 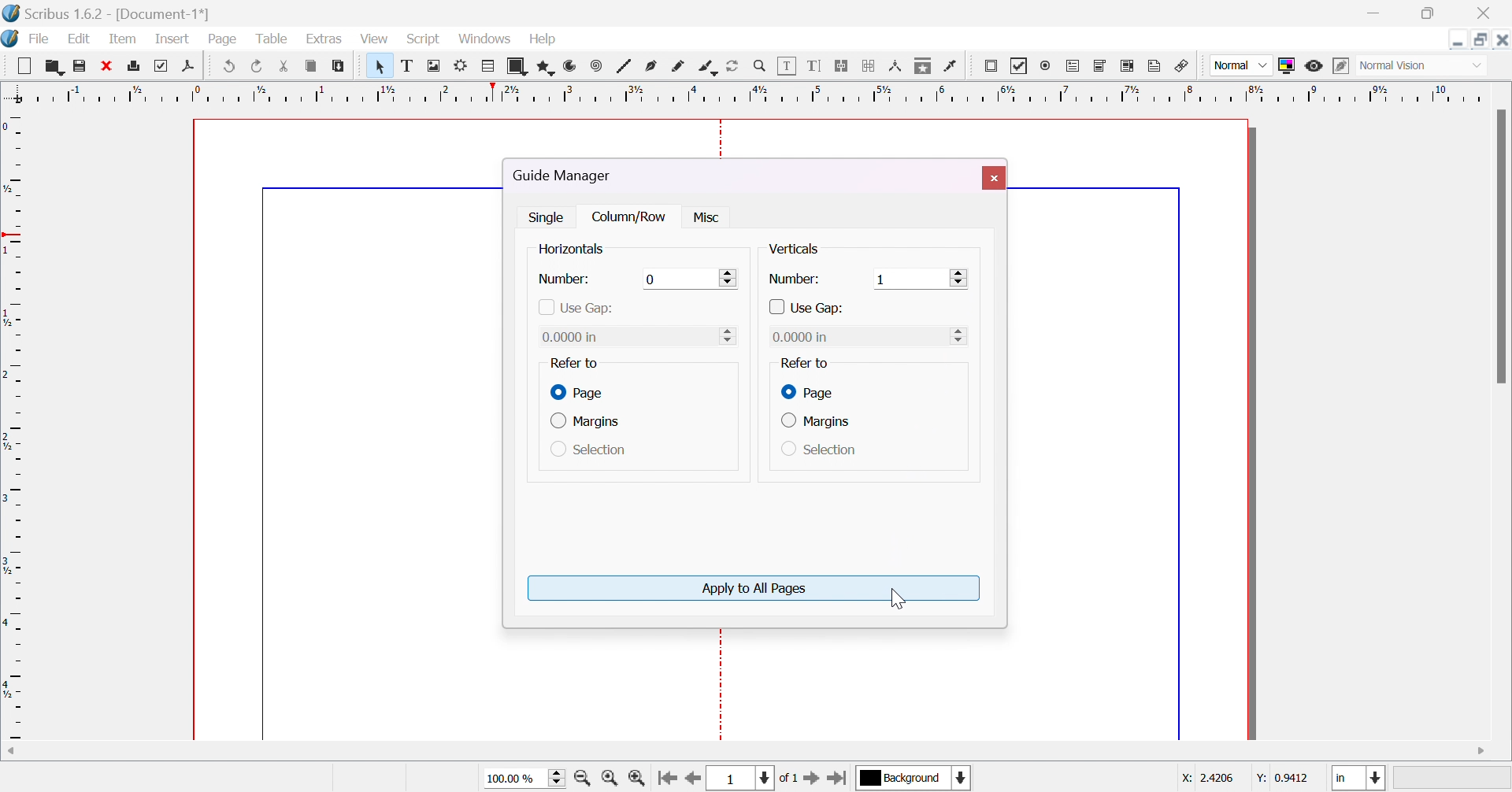 What do you see at coordinates (105, 11) in the screenshot?
I see `scribus 1.6.2 [Document-1]` at bounding box center [105, 11].